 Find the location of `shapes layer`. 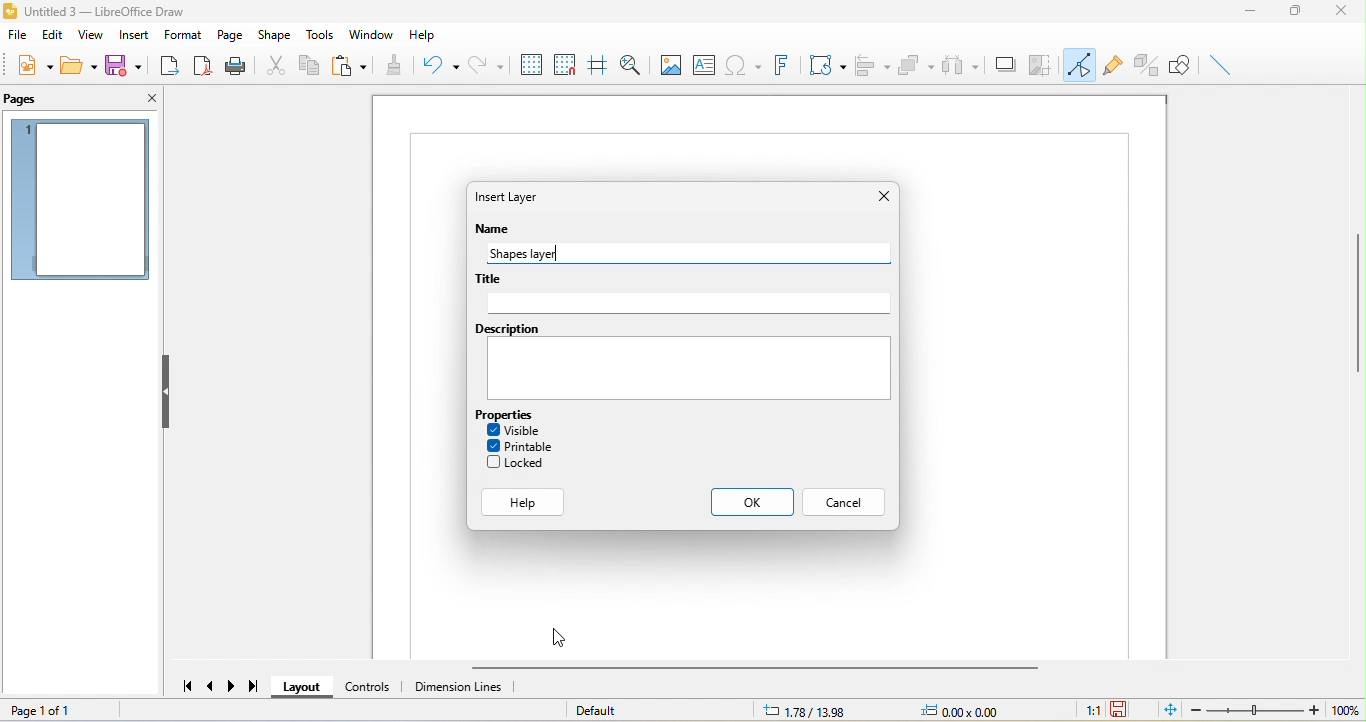

shapes layer is located at coordinates (537, 252).